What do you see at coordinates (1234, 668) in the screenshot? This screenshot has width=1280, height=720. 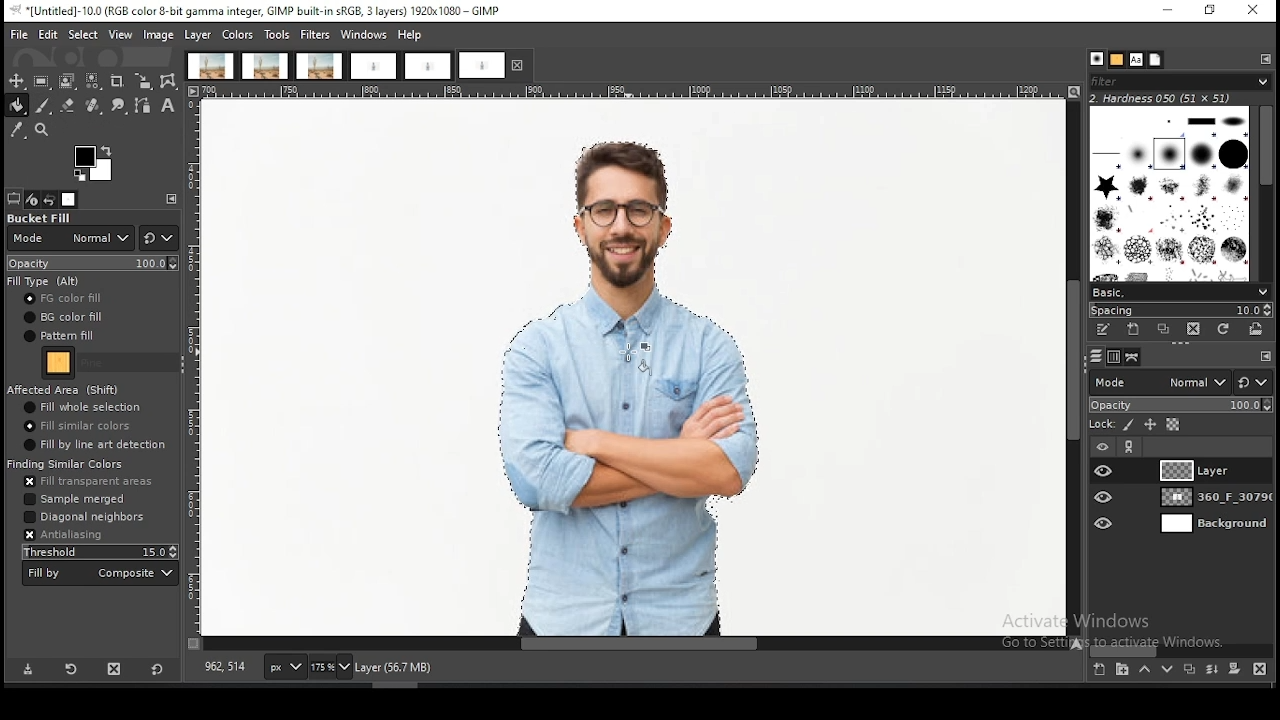 I see `add a mask` at bounding box center [1234, 668].